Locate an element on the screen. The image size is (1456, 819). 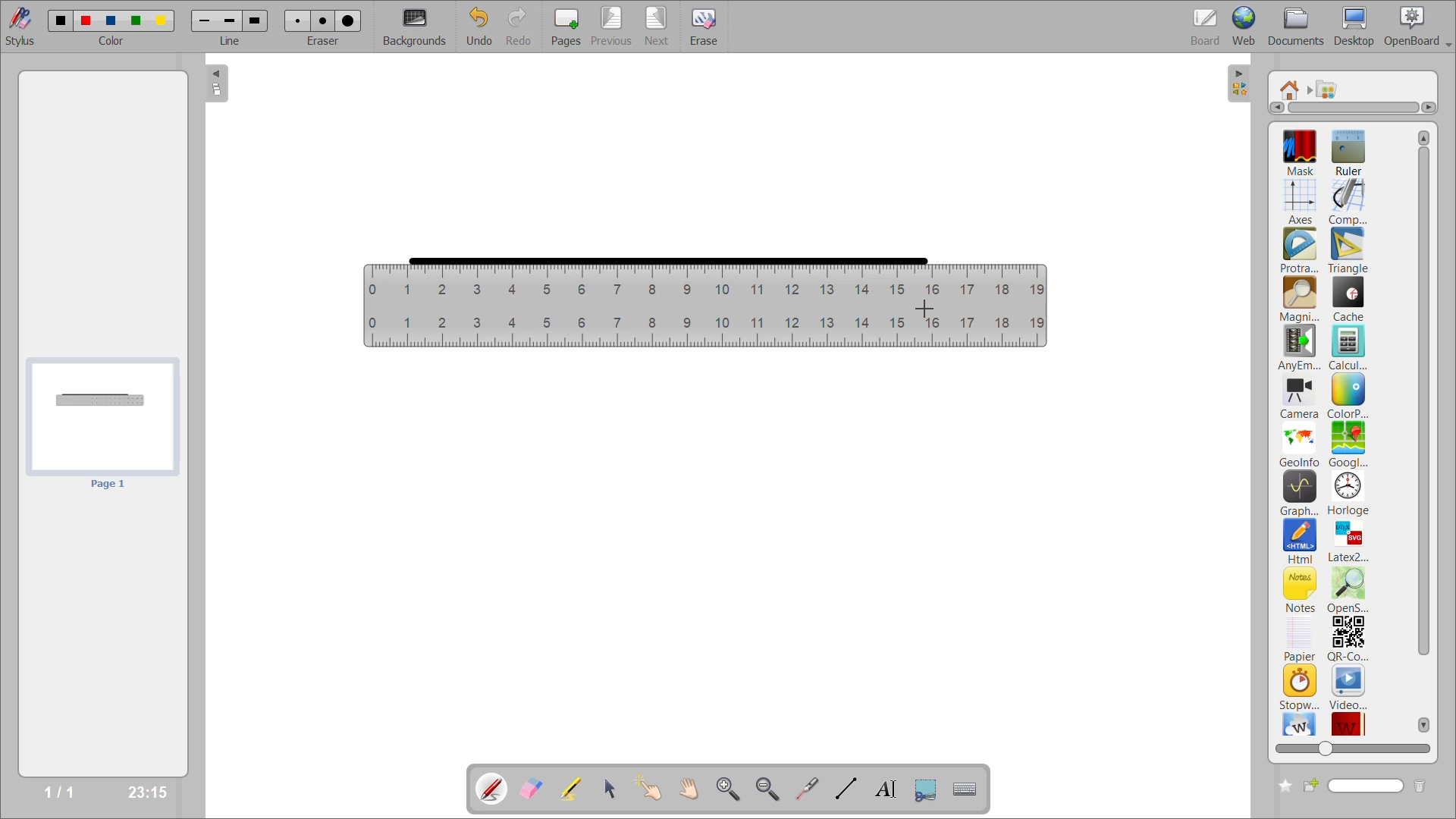
geoinfo is located at coordinates (1301, 444).